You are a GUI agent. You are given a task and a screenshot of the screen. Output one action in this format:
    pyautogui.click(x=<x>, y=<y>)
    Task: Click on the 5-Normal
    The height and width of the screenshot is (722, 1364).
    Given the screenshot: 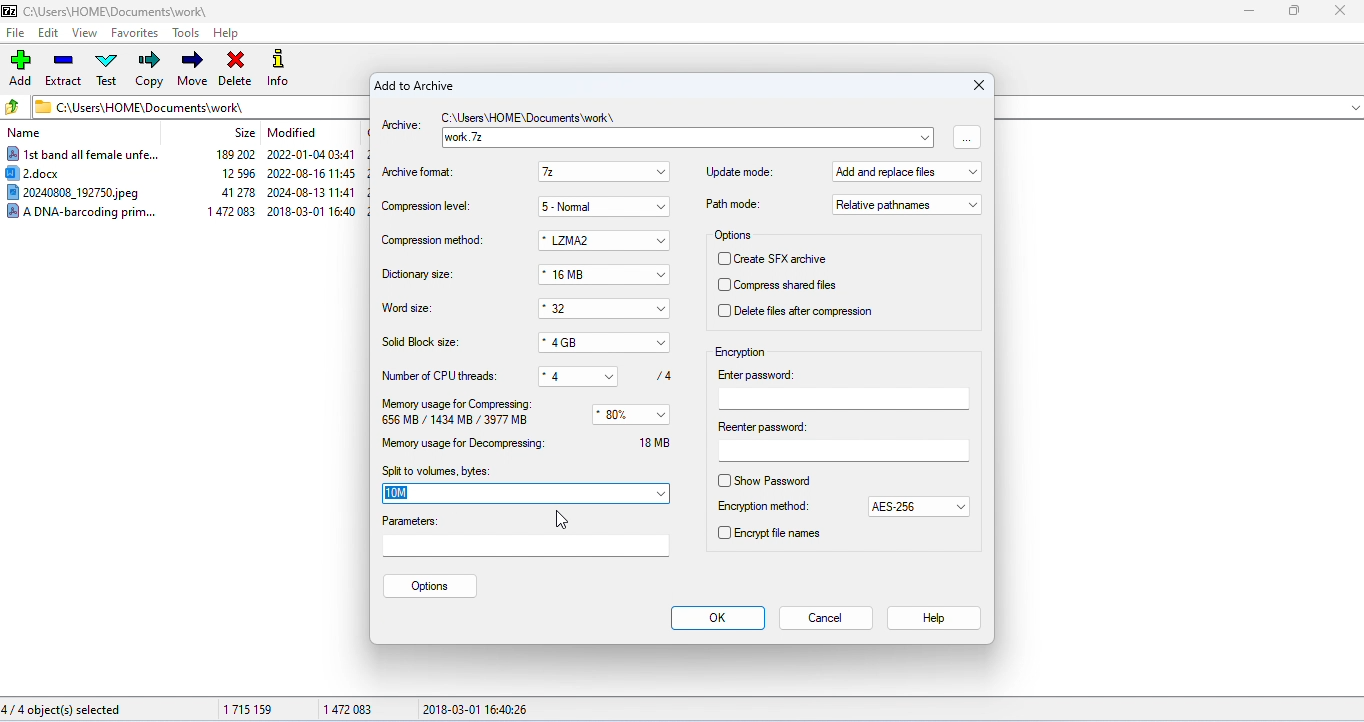 What is the action you would take?
    pyautogui.click(x=591, y=206)
    